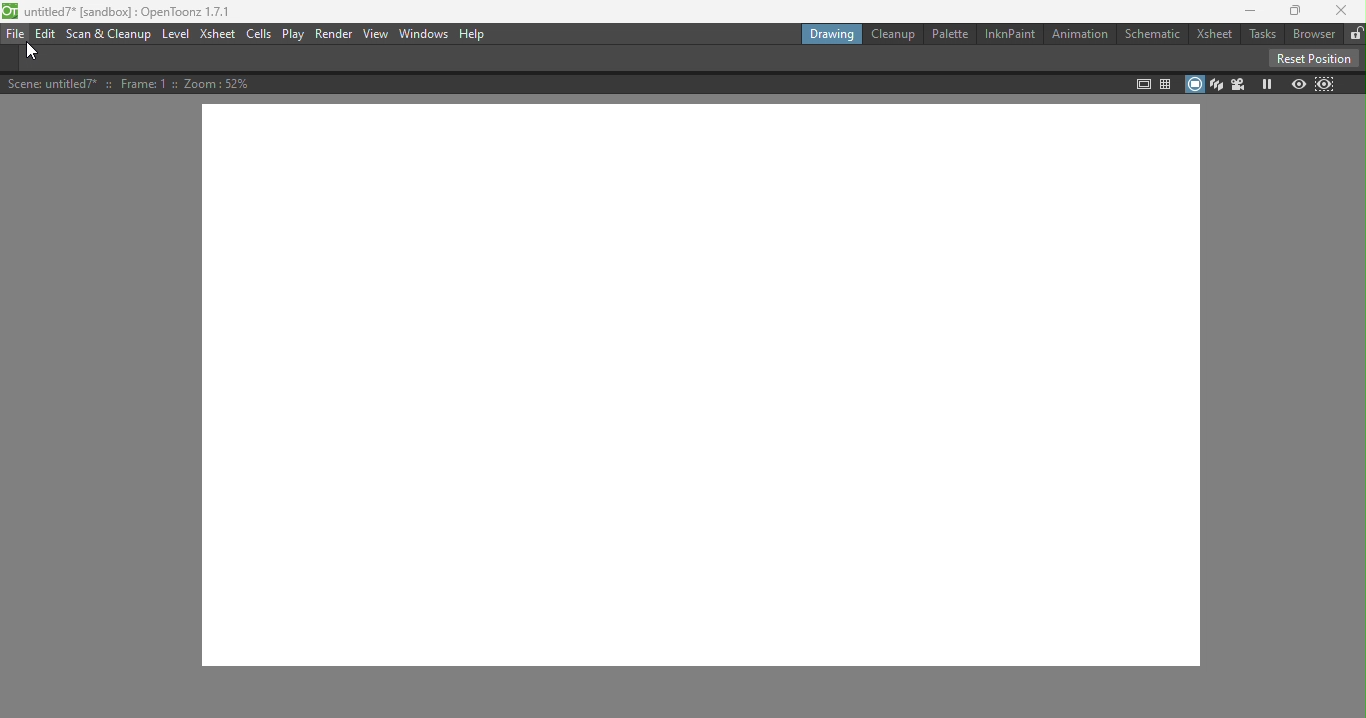 This screenshot has height=718, width=1366. Describe the element at coordinates (832, 34) in the screenshot. I see `Drawing` at that location.